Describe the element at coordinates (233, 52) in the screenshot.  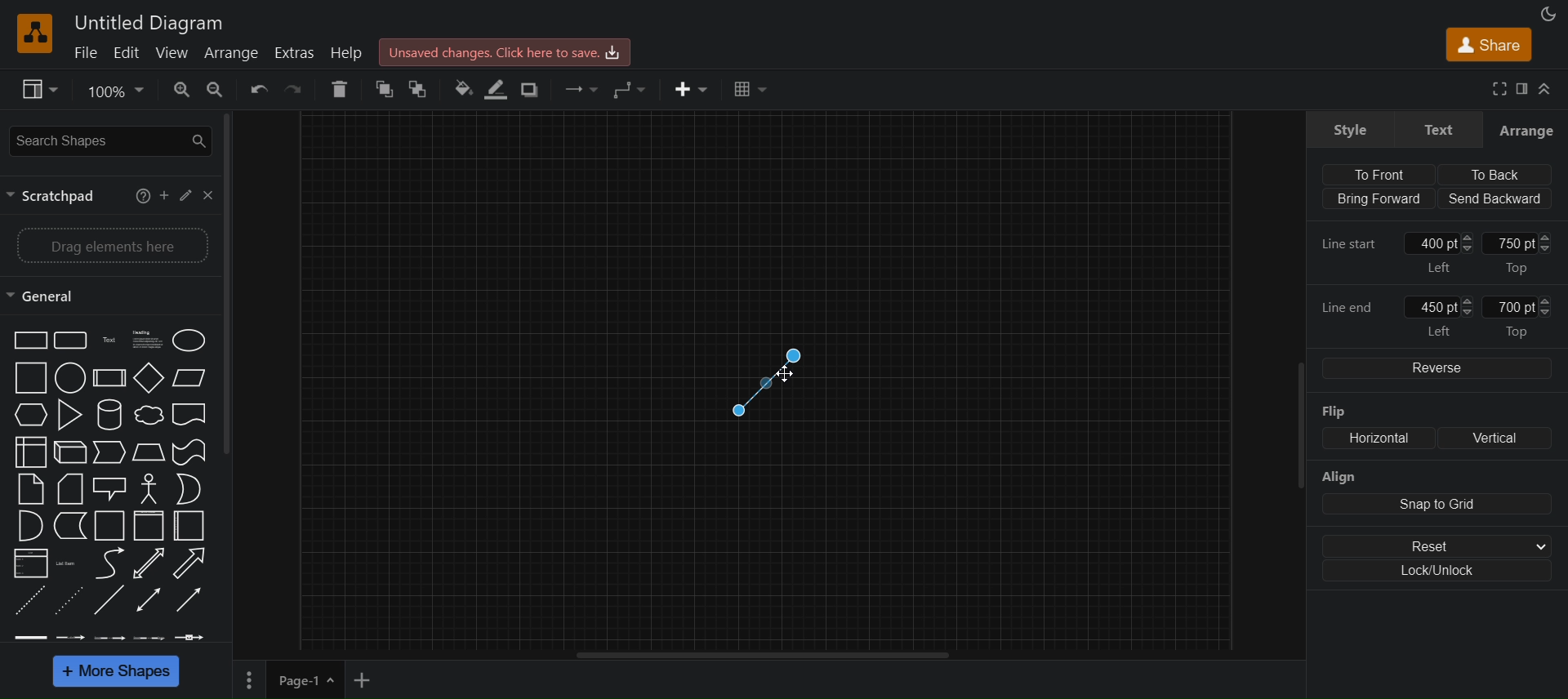
I see `arrange` at that location.